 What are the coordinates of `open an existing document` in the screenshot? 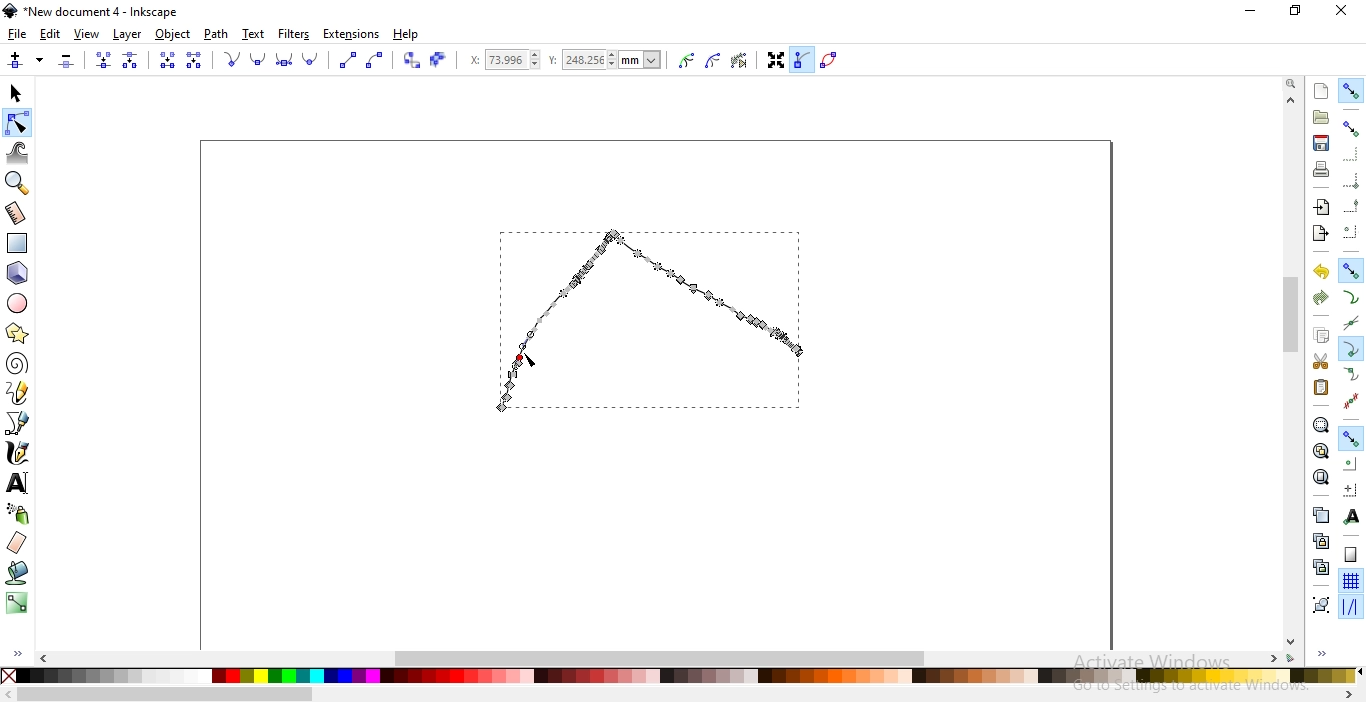 It's located at (1321, 117).